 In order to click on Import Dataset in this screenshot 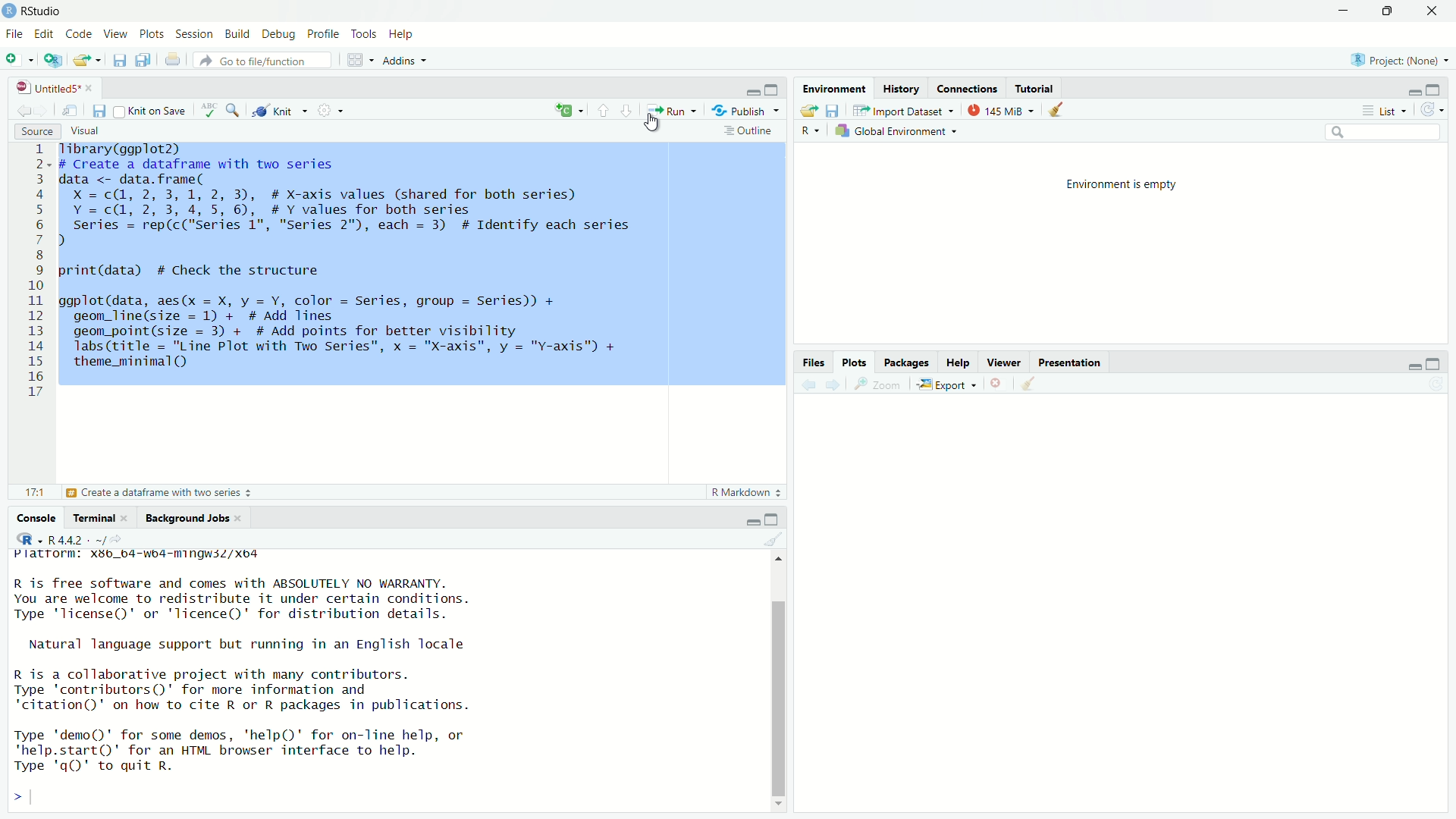, I will do `click(905, 111)`.